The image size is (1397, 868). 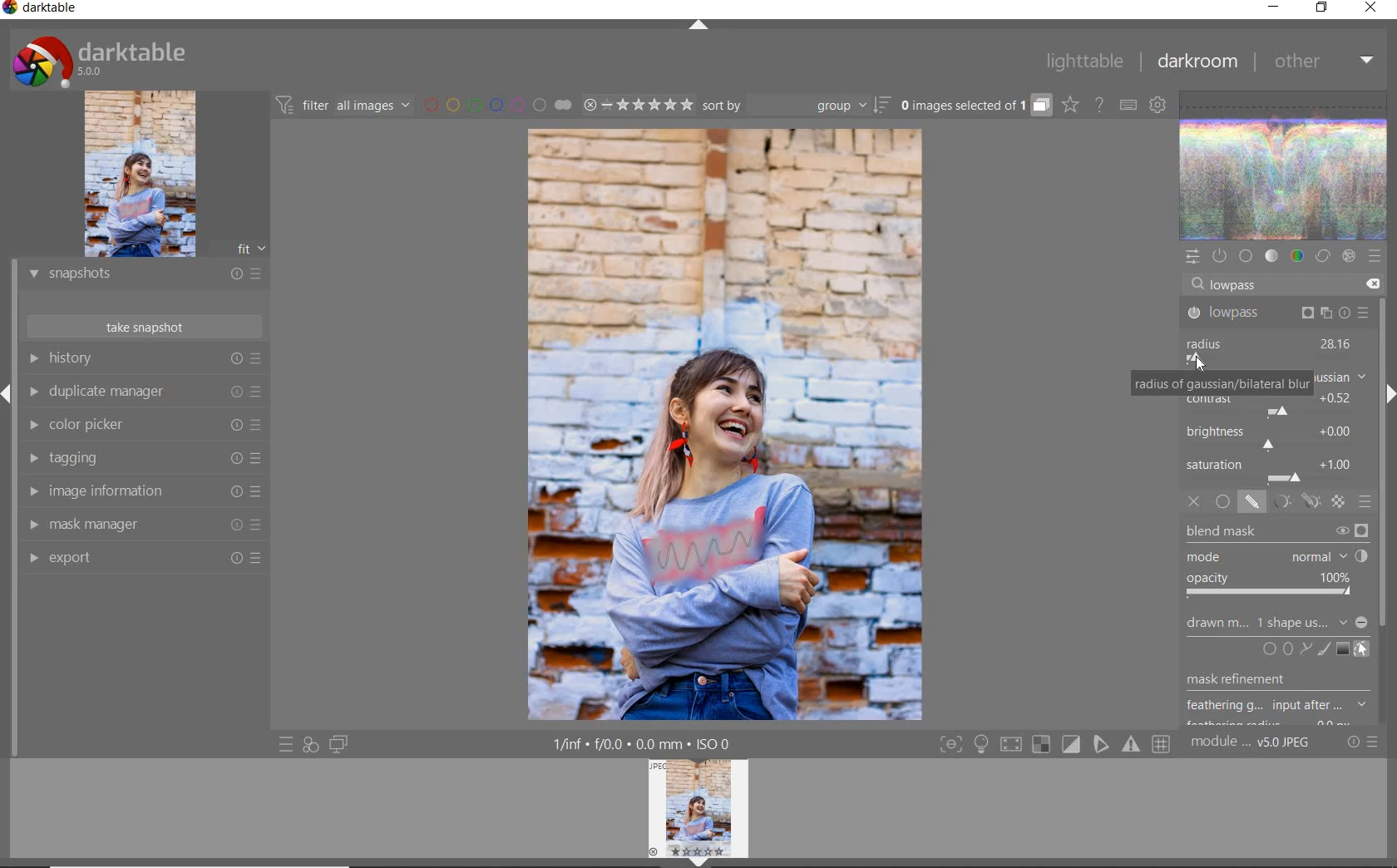 I want to click on lowpass, so click(x=1241, y=286).